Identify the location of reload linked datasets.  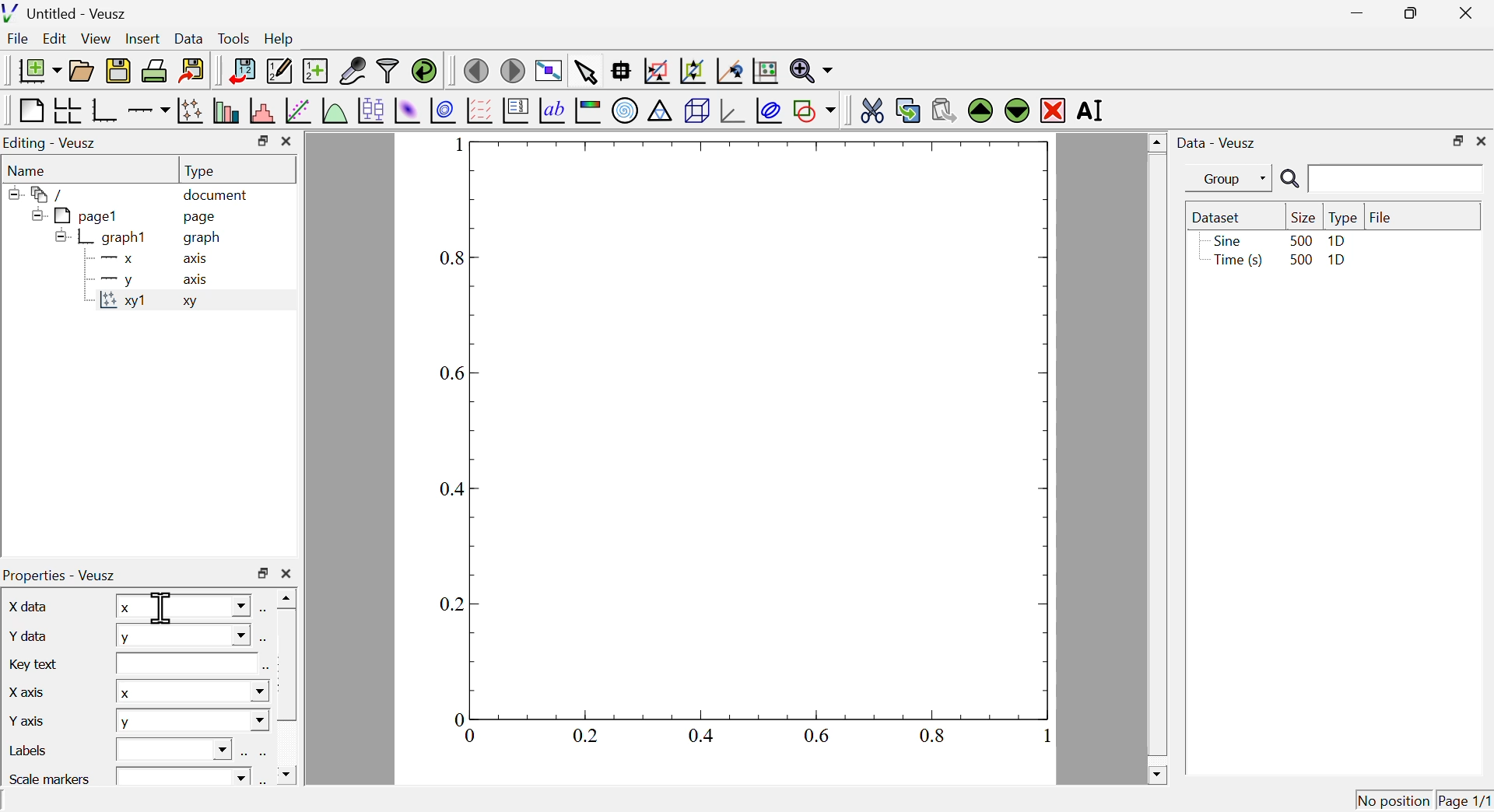
(423, 70).